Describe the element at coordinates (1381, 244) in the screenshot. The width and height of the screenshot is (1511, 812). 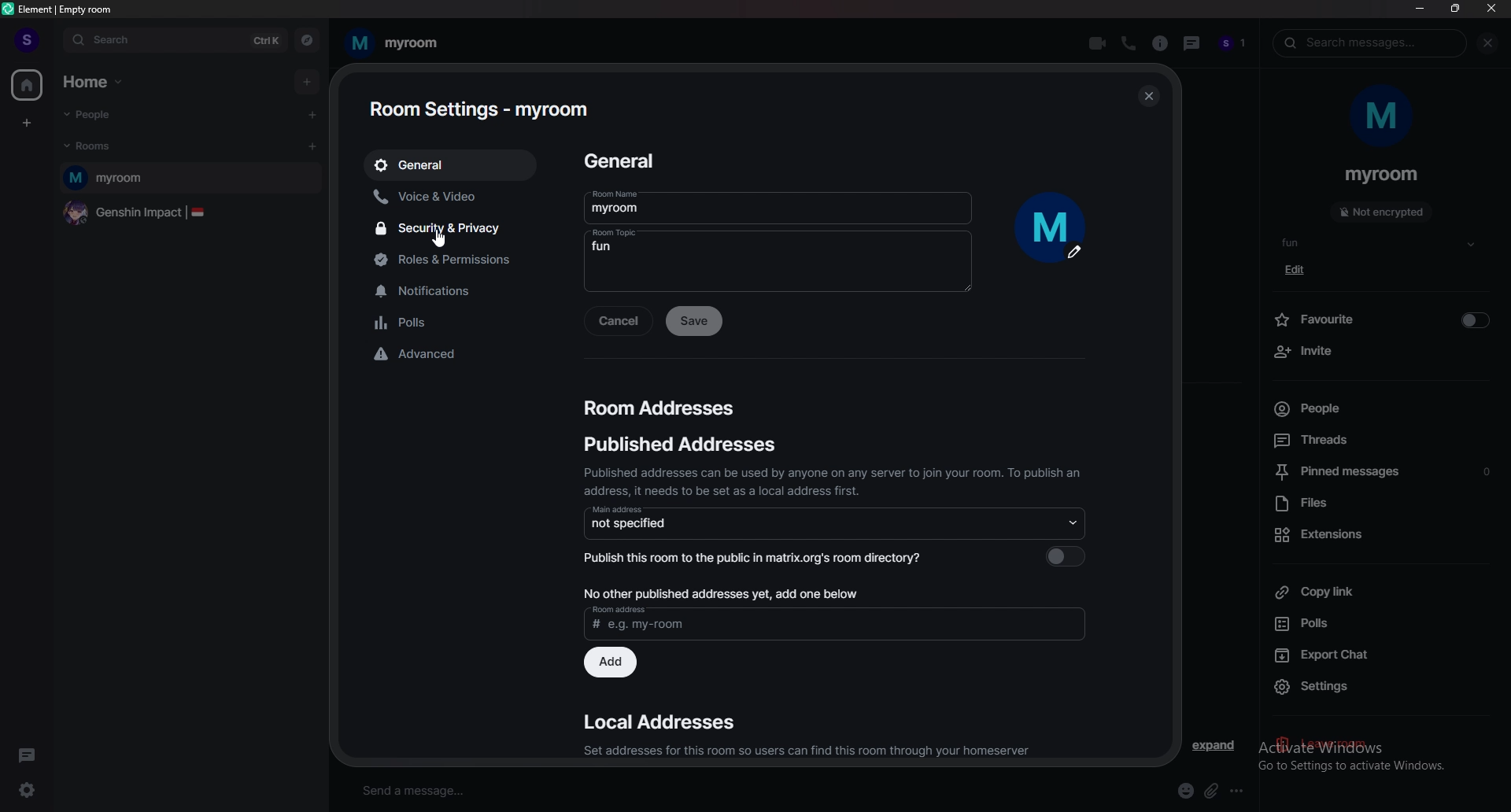
I see `fun` at that location.